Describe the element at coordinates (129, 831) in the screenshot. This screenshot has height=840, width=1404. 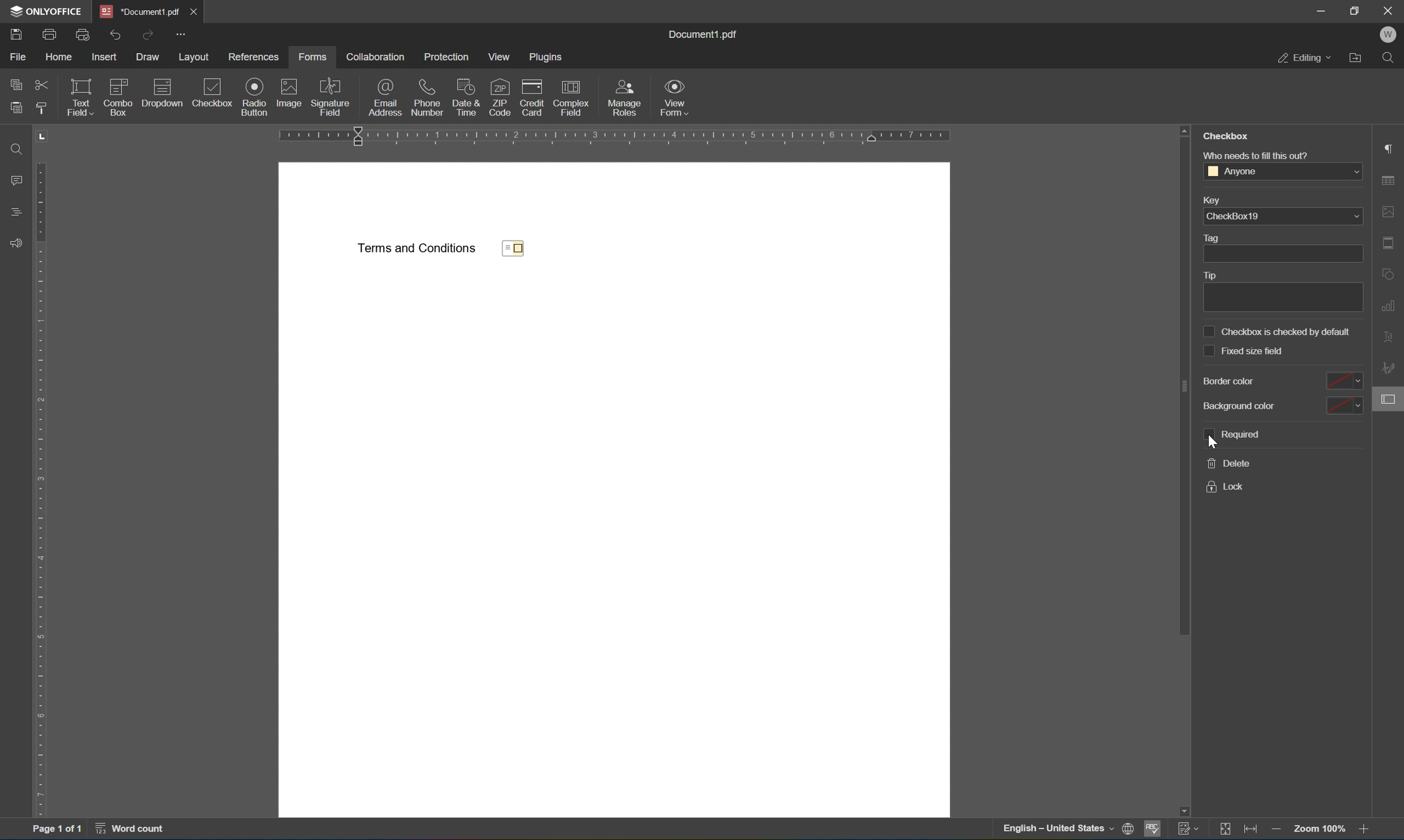
I see `word count` at that location.